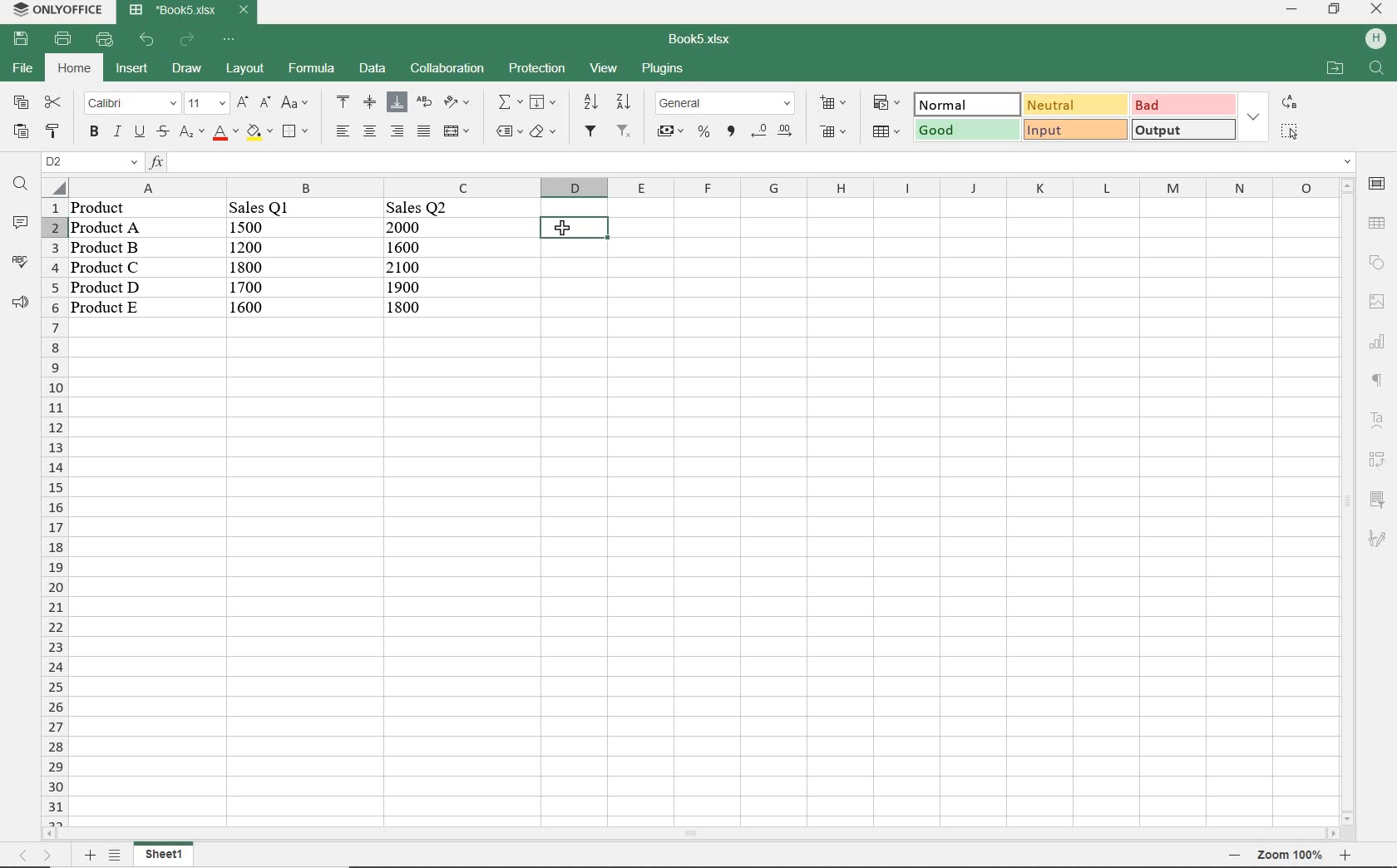 The width and height of the screenshot is (1397, 868). I want to click on increment font size, so click(241, 102).